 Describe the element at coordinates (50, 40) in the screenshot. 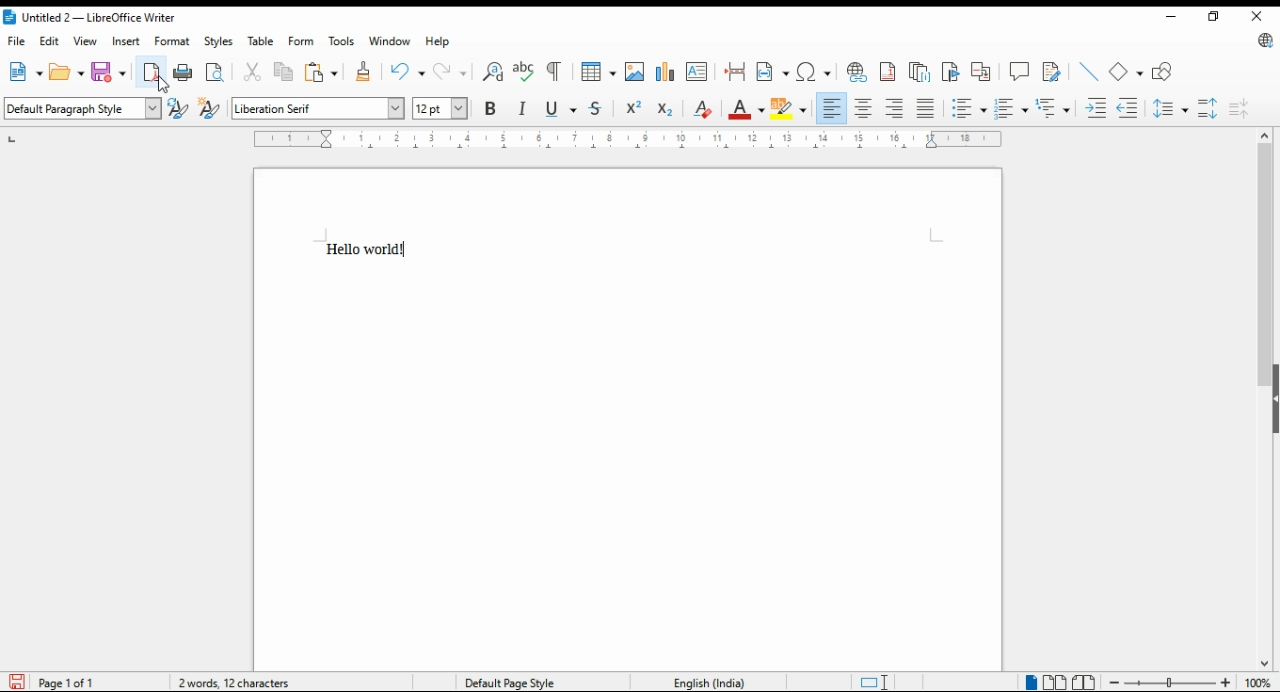

I see `edit` at that location.